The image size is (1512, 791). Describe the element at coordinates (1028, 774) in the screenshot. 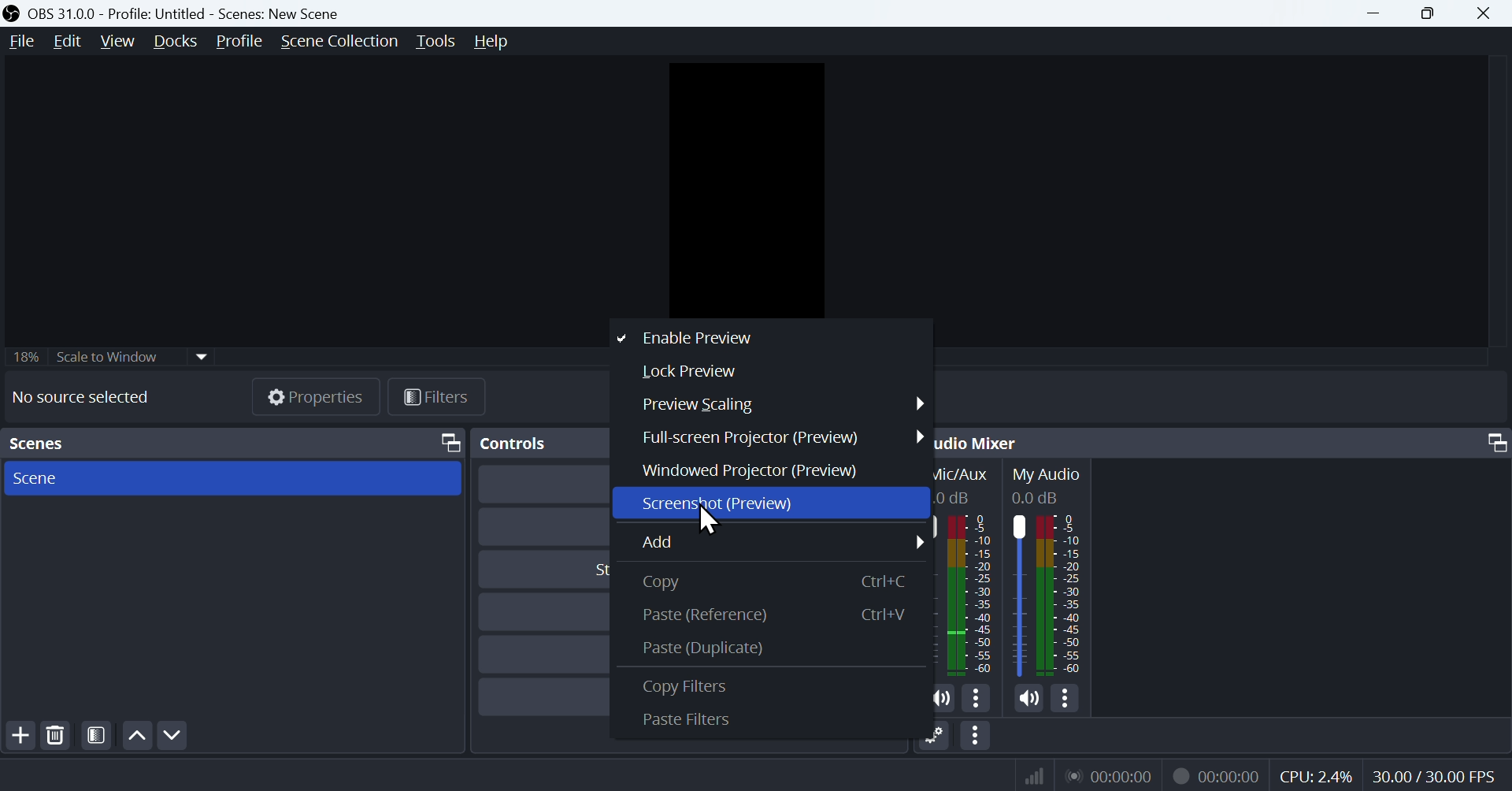

I see `signals` at that location.